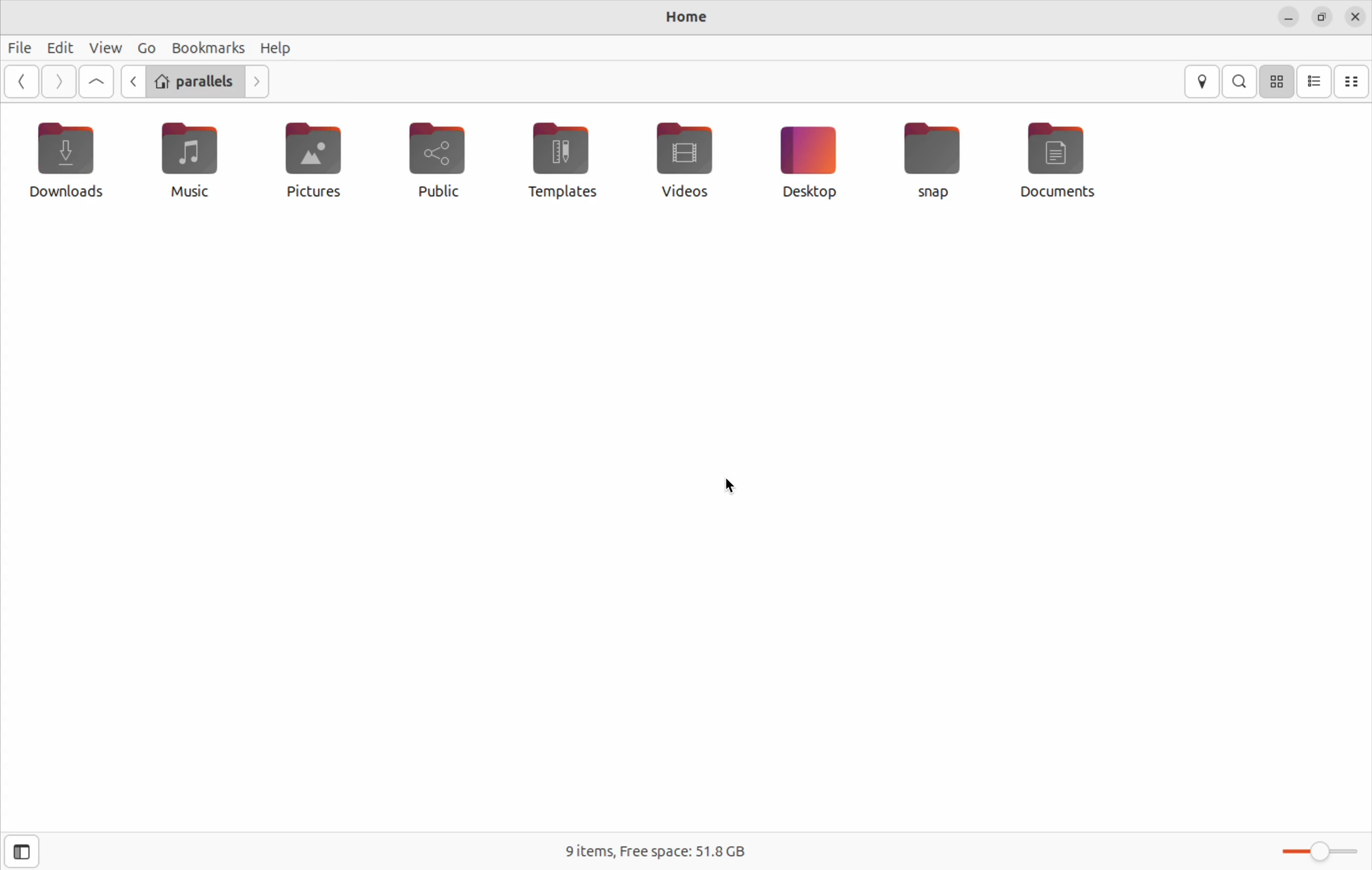 Image resolution: width=1372 pixels, height=870 pixels. Describe the element at coordinates (1242, 81) in the screenshot. I see `search` at that location.